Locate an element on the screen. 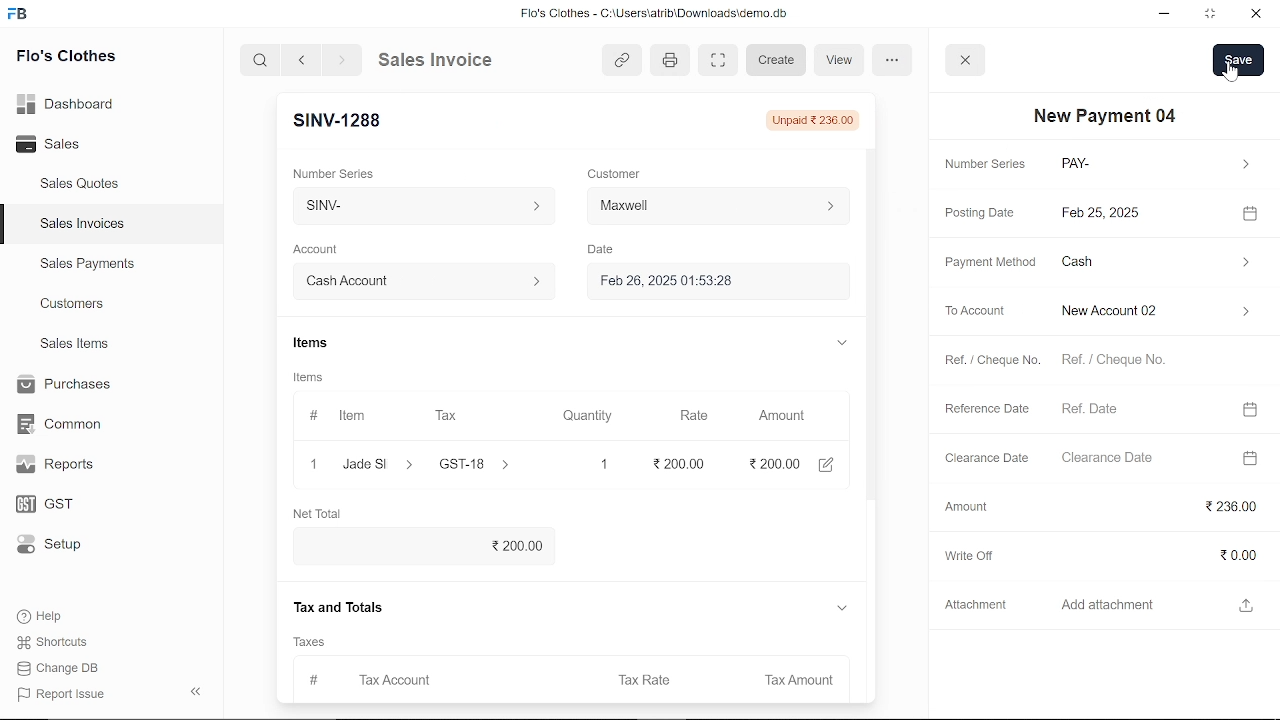  Number Series is located at coordinates (340, 173).